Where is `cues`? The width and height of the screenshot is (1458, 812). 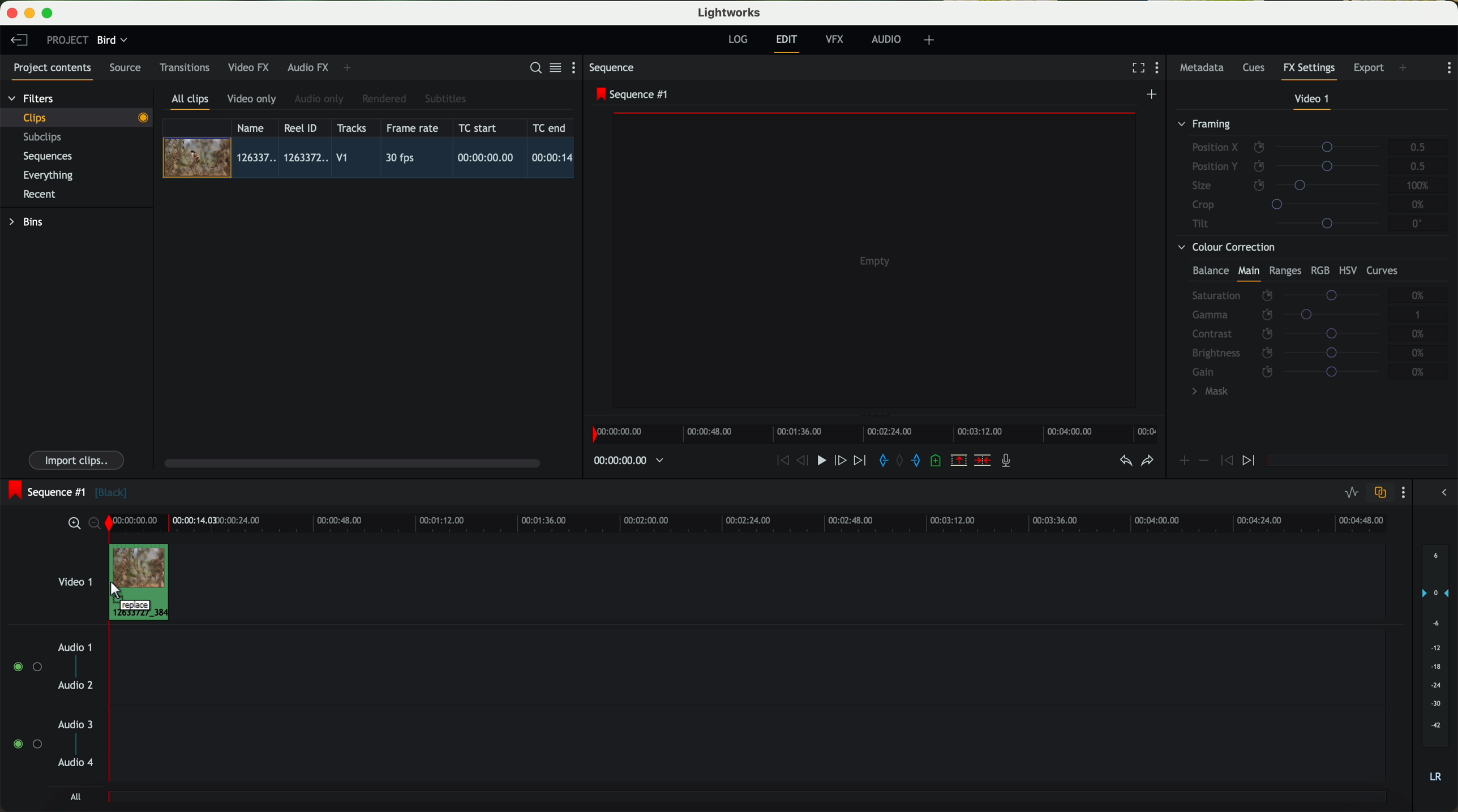
cues is located at coordinates (1257, 68).